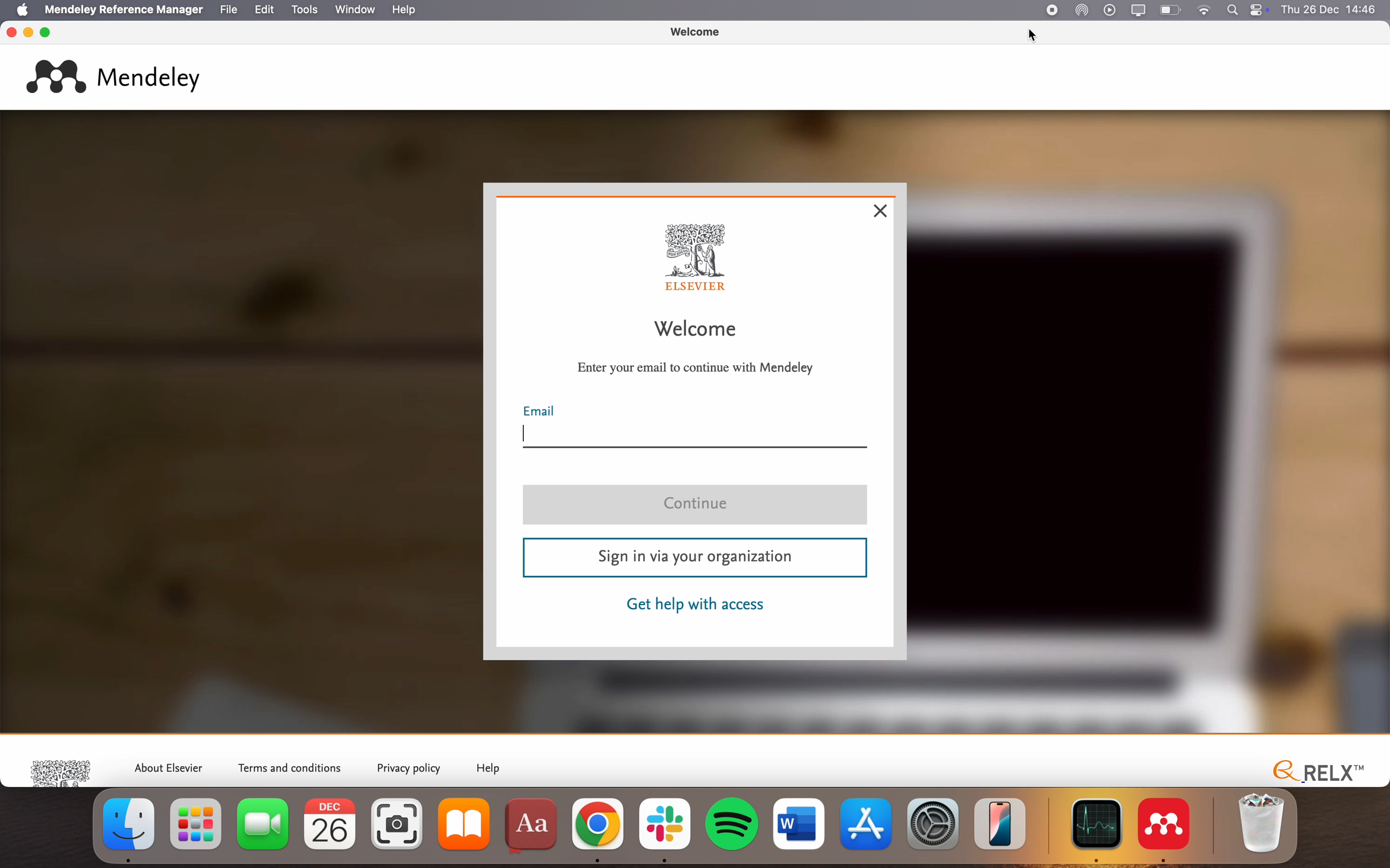 This screenshot has width=1390, height=868. What do you see at coordinates (866, 822) in the screenshot?
I see `appstore` at bounding box center [866, 822].